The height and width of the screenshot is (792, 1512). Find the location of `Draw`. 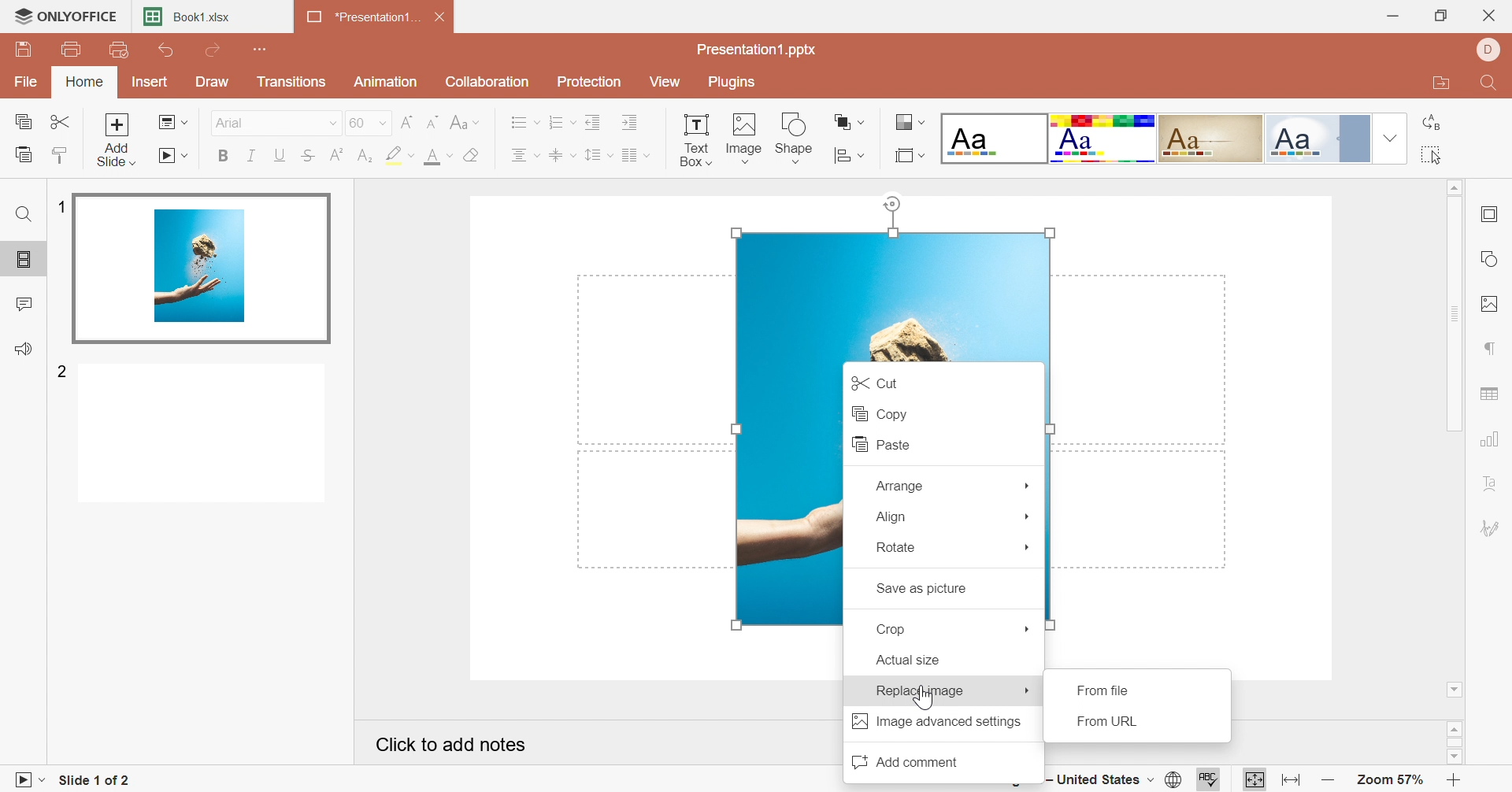

Draw is located at coordinates (215, 82).